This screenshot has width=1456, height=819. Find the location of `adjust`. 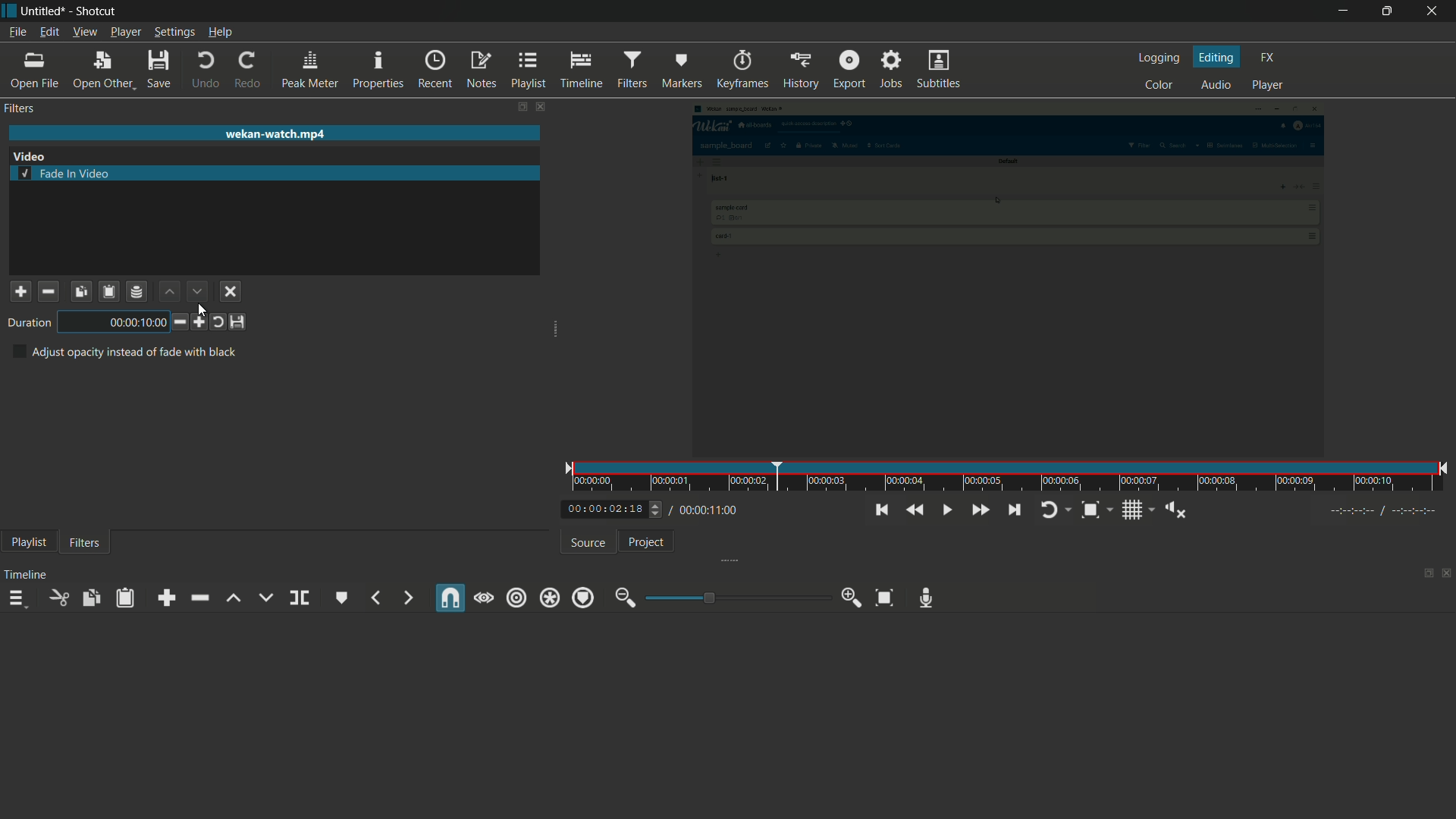

adjust is located at coordinates (651, 509).